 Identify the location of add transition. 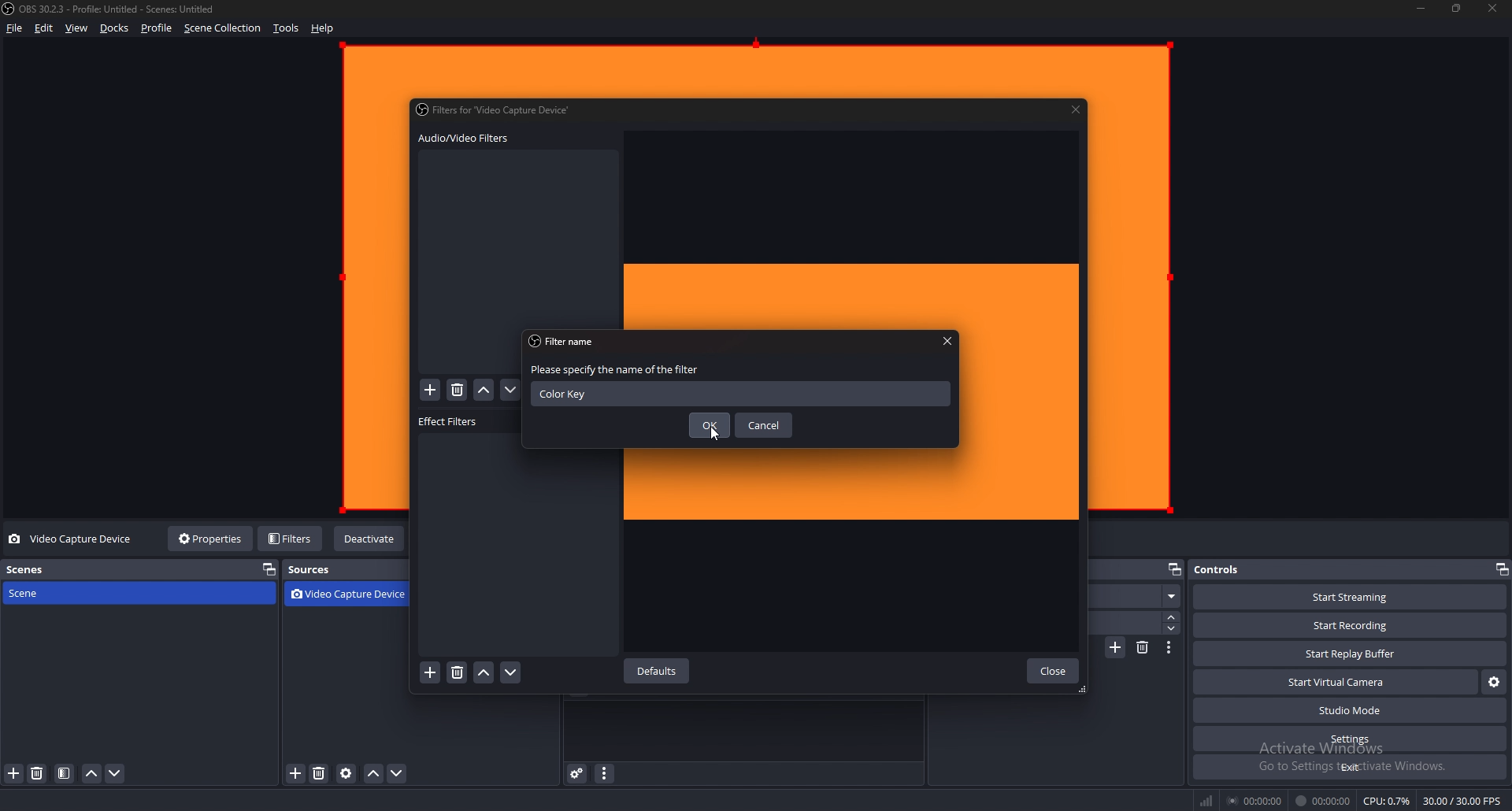
(1117, 647).